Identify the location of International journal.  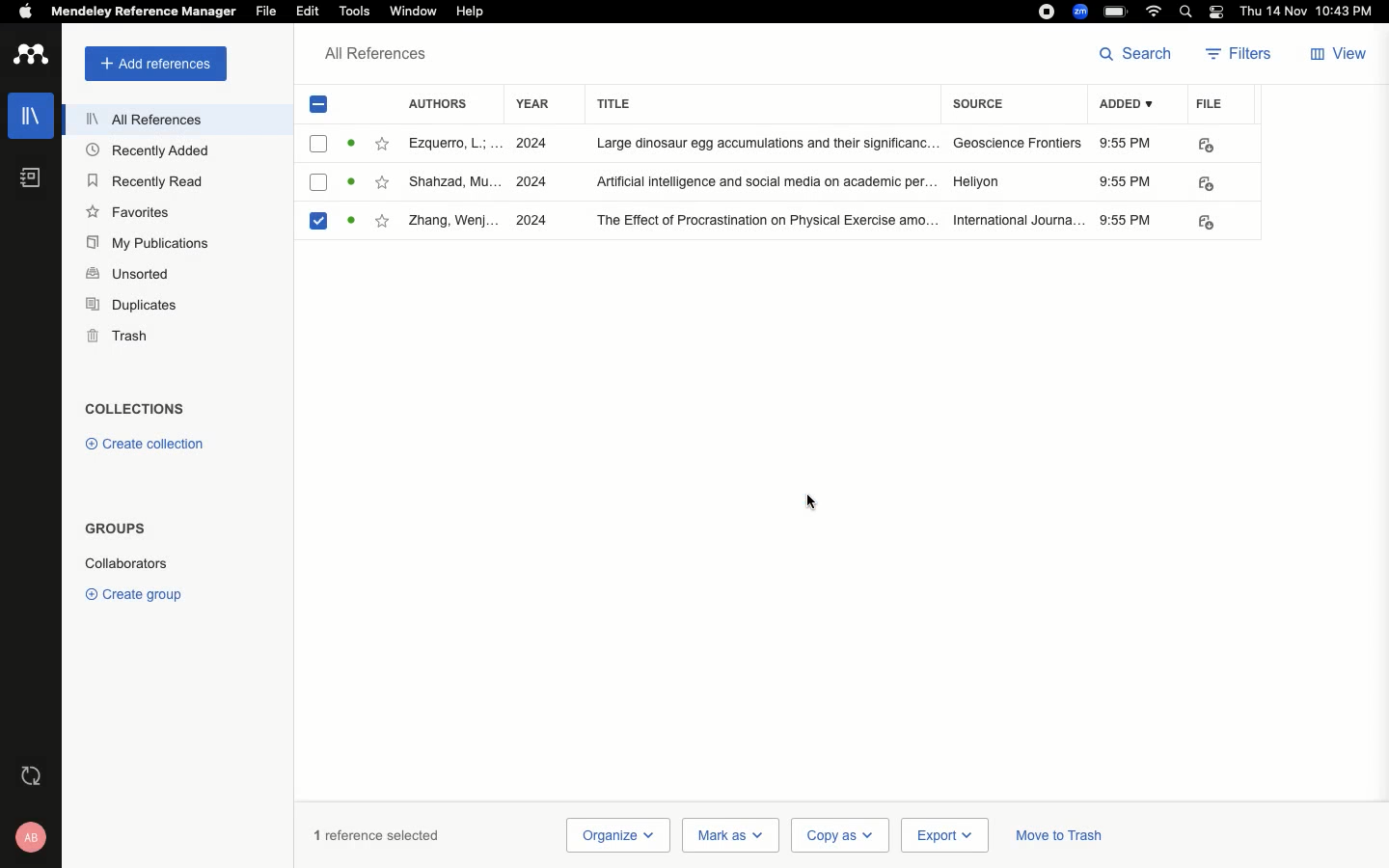
(1019, 220).